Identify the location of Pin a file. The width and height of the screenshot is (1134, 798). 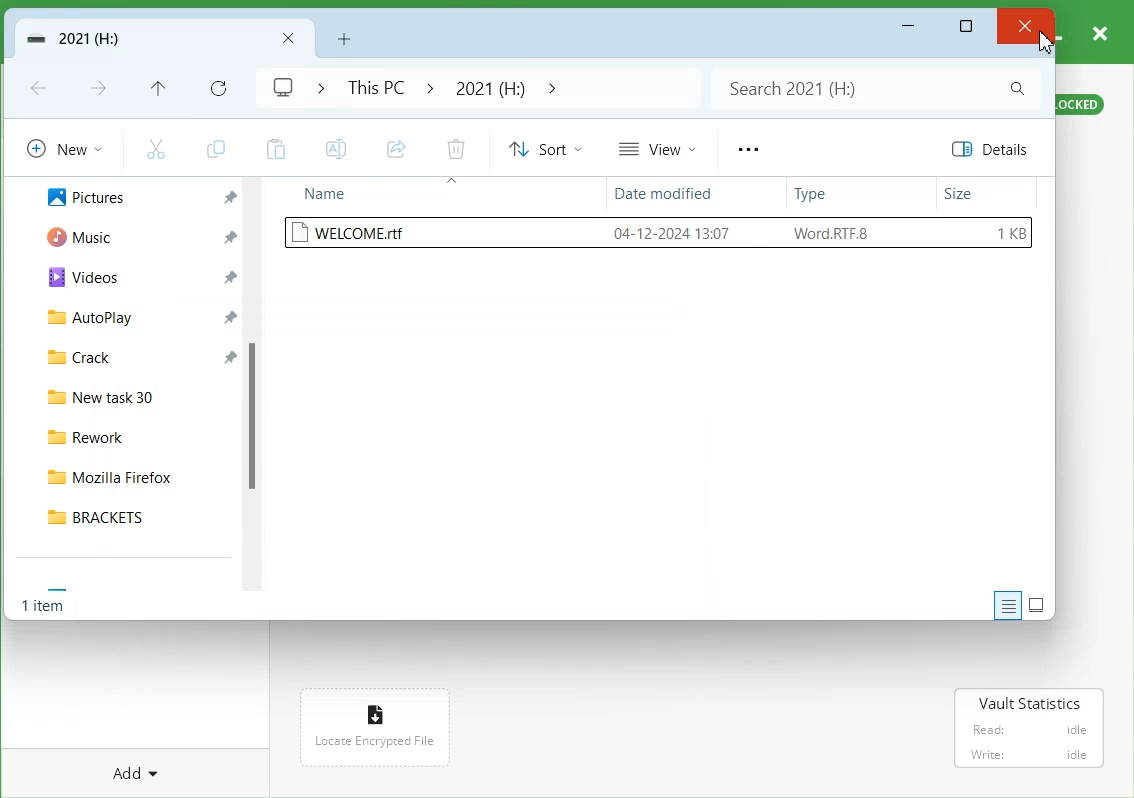
(229, 194).